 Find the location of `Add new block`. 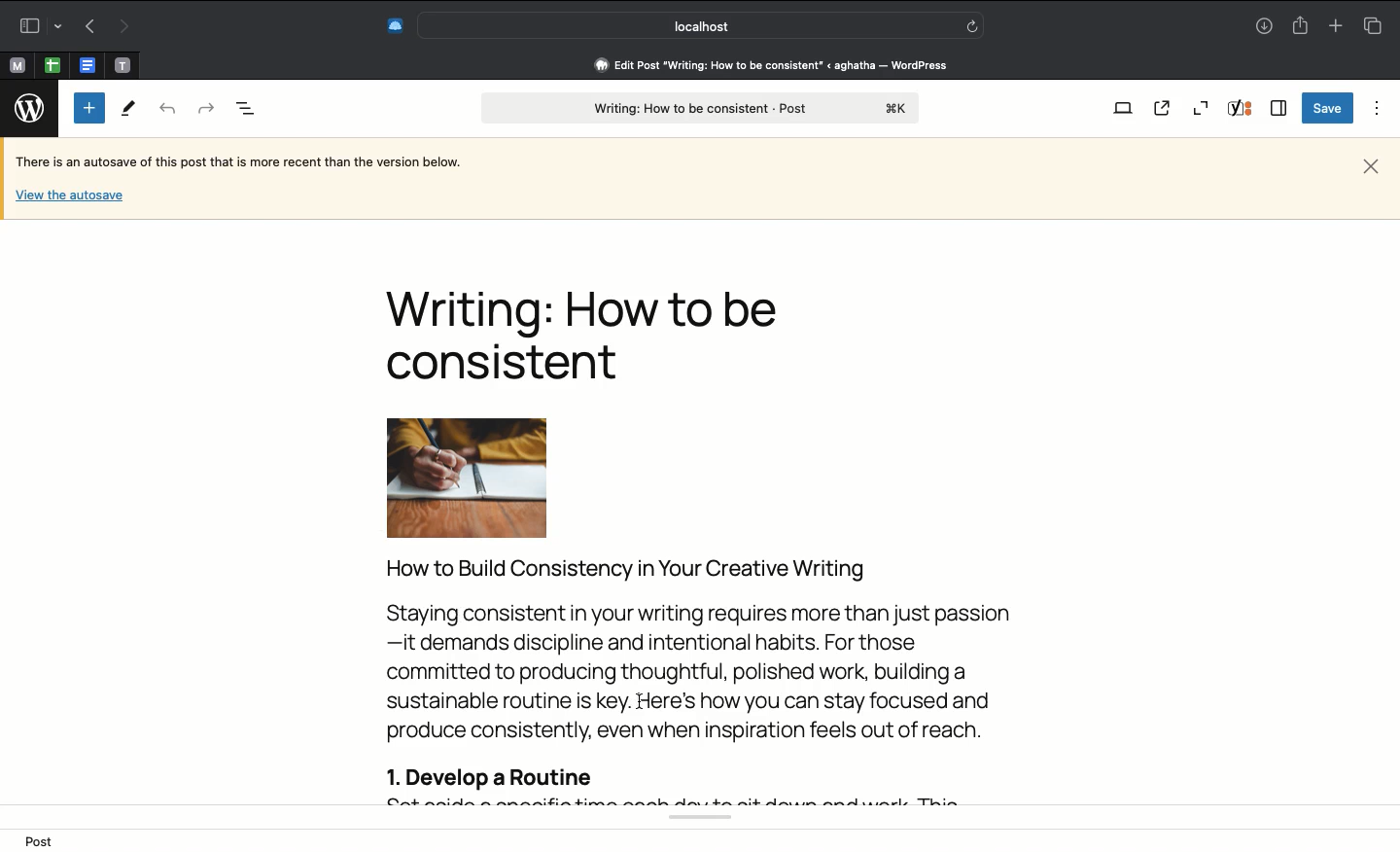

Add new block is located at coordinates (89, 108).